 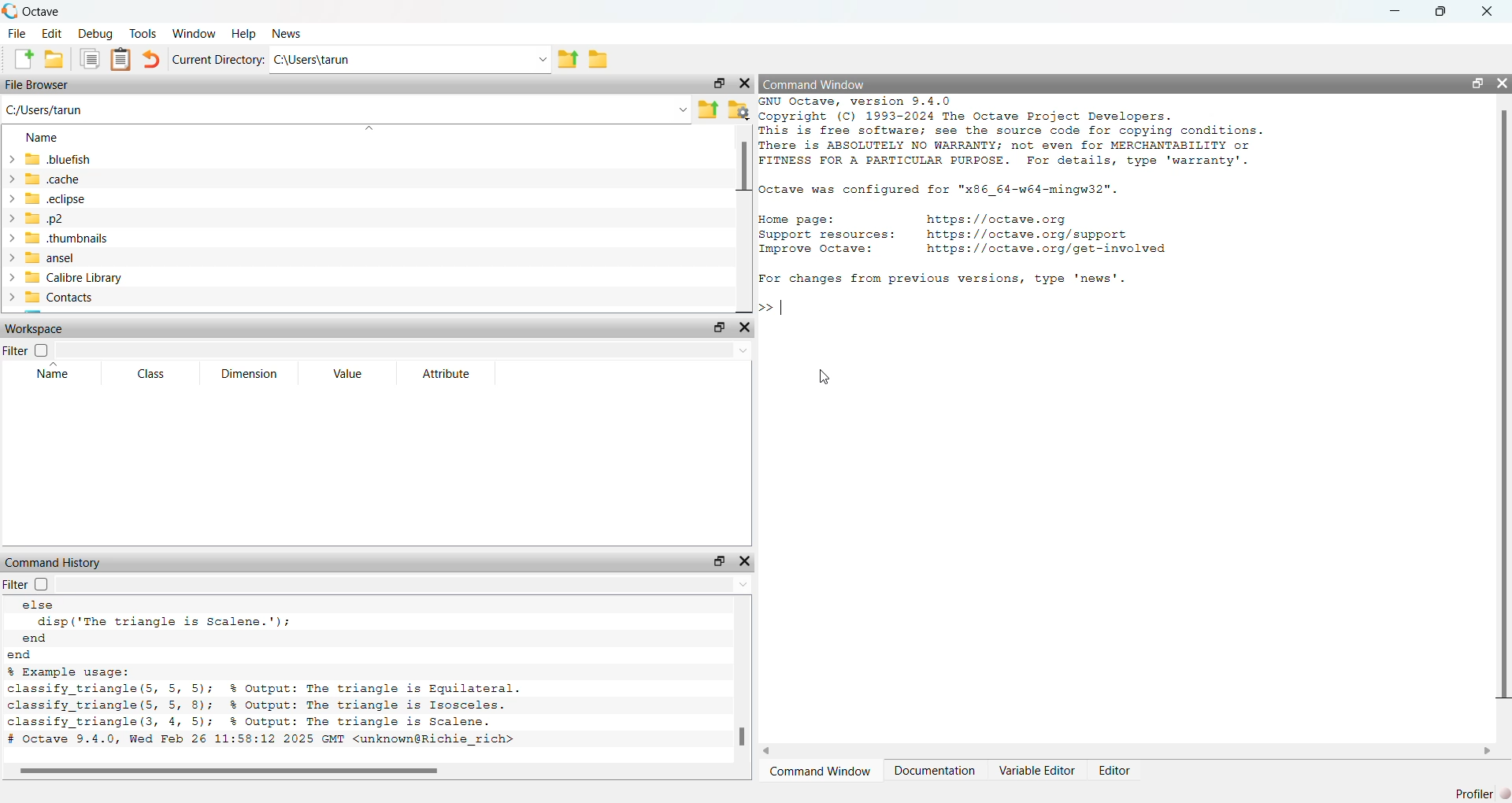 I want to click on name, so click(x=57, y=375).